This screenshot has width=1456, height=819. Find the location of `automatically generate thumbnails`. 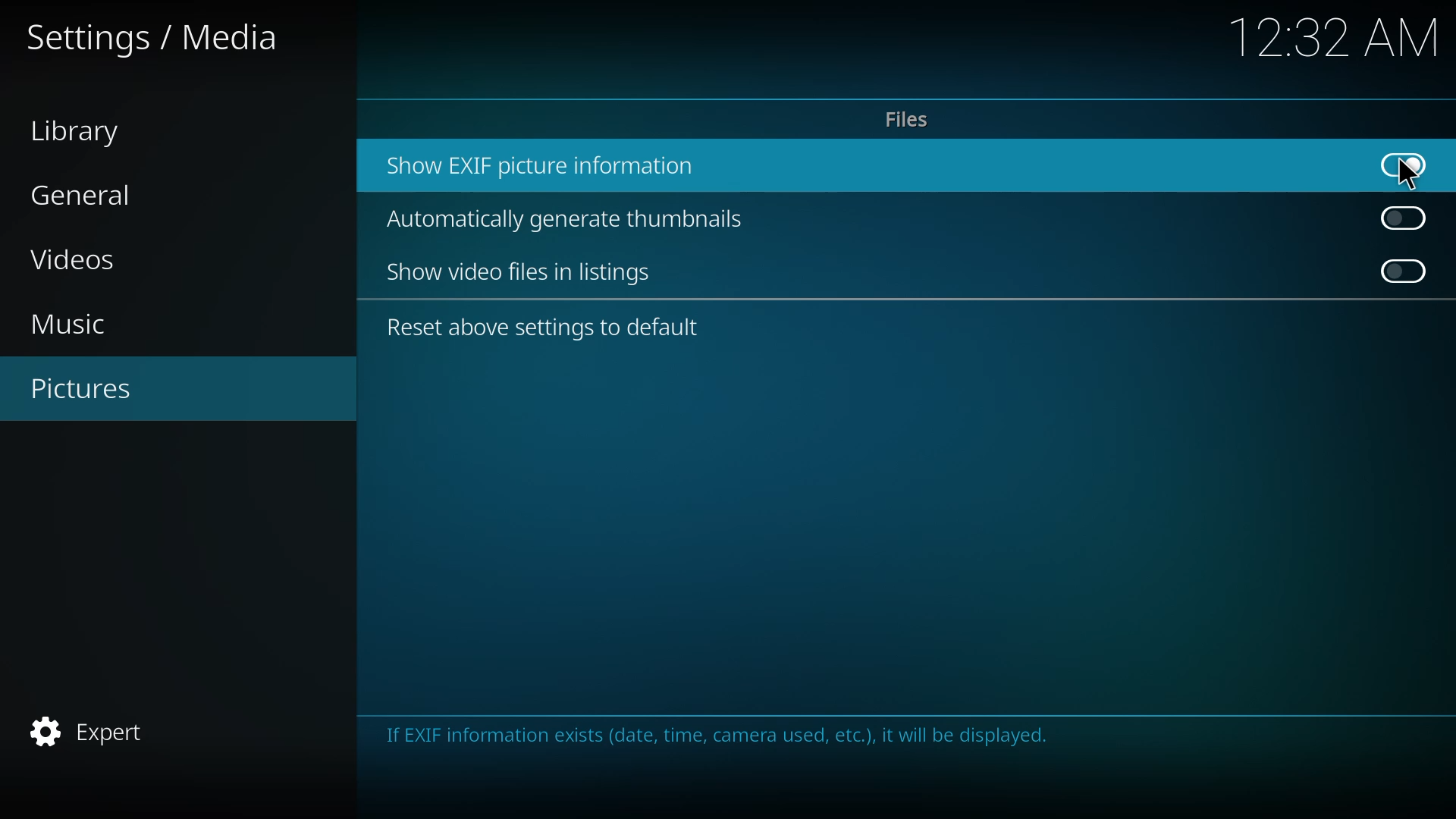

automatically generate thumbnails is located at coordinates (575, 220).